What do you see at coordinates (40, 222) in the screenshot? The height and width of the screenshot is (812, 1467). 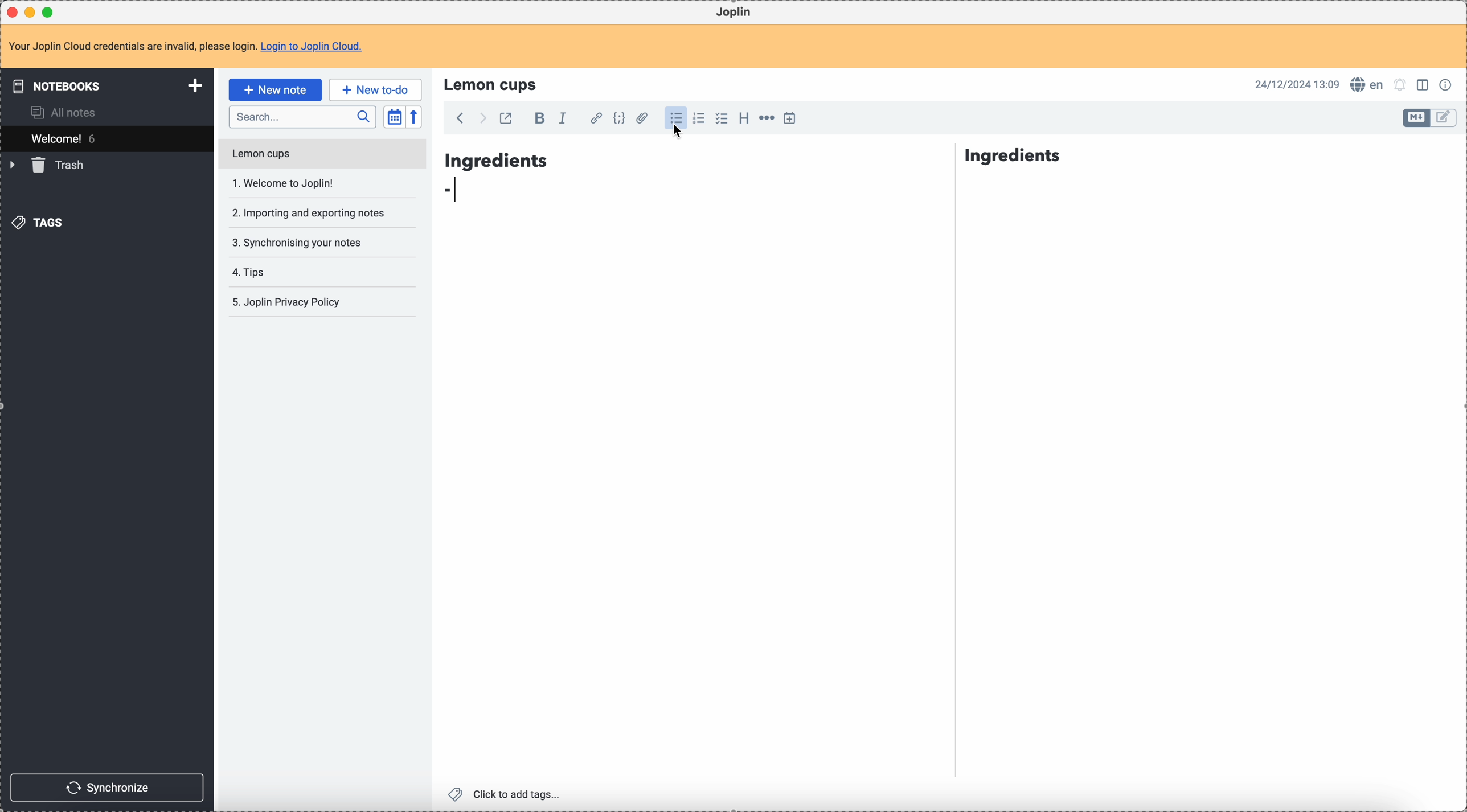 I see `tags` at bounding box center [40, 222].